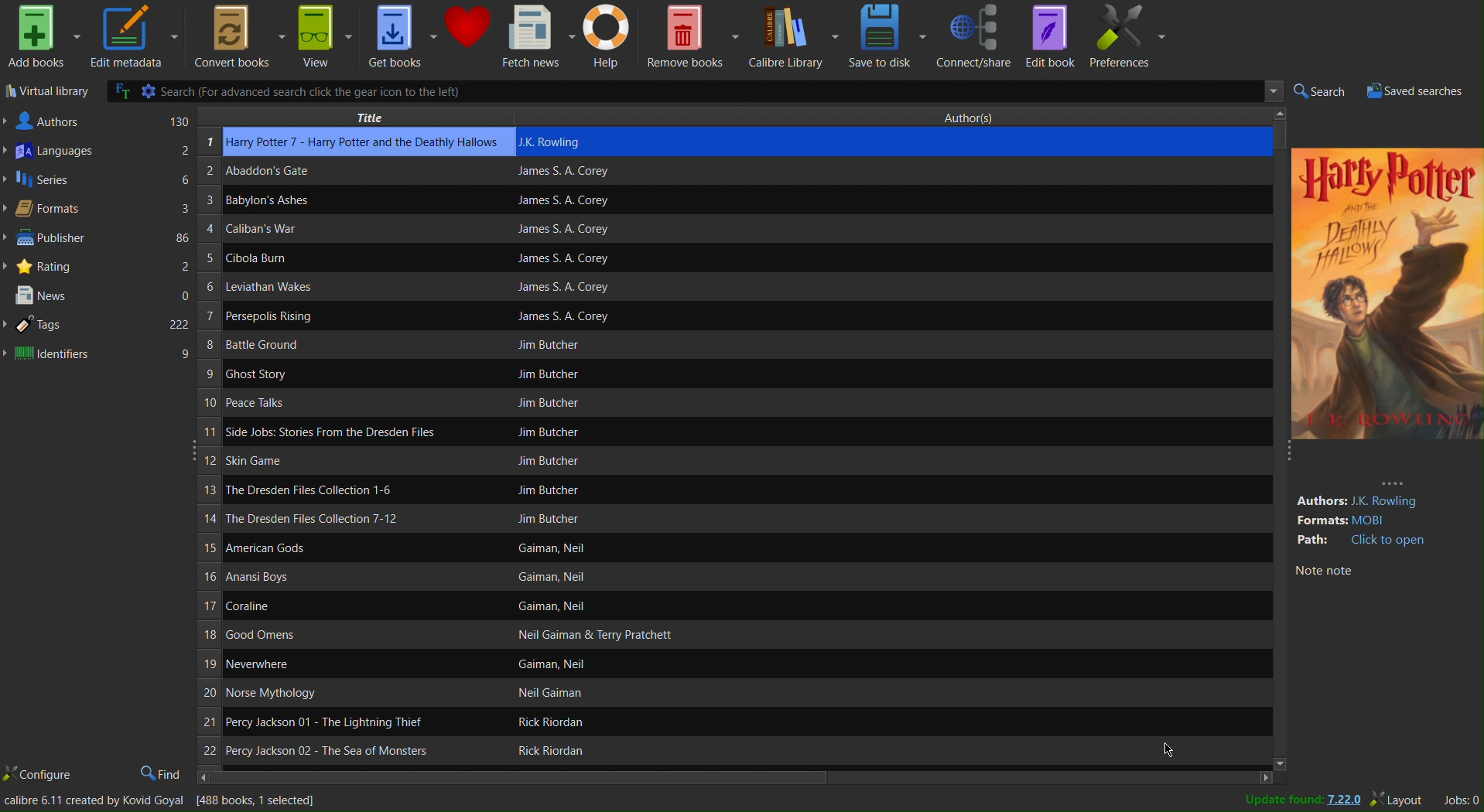  What do you see at coordinates (287, 257) in the screenshot?
I see `Book name` at bounding box center [287, 257].